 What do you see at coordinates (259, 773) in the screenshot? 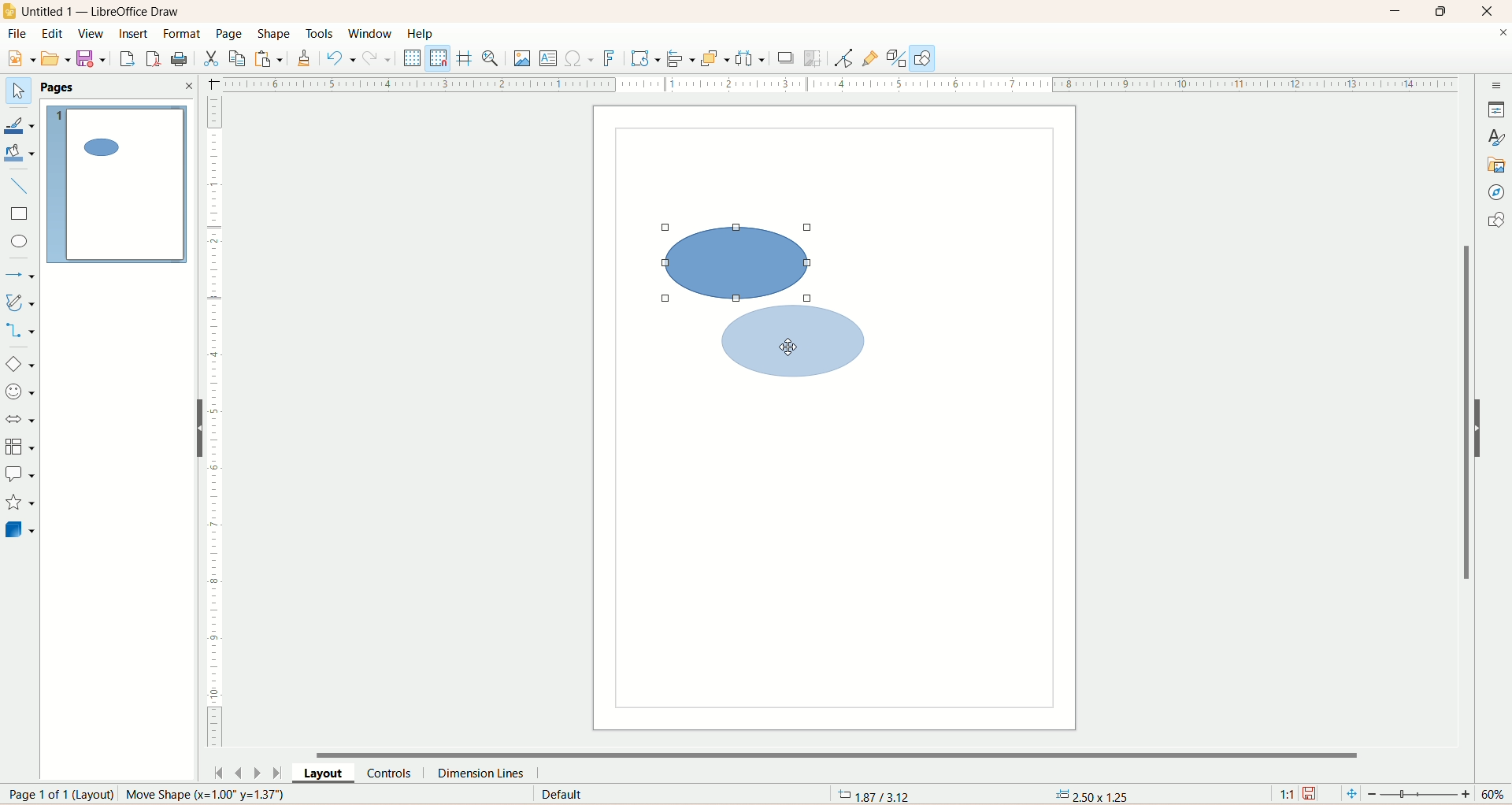
I see `next page` at bounding box center [259, 773].